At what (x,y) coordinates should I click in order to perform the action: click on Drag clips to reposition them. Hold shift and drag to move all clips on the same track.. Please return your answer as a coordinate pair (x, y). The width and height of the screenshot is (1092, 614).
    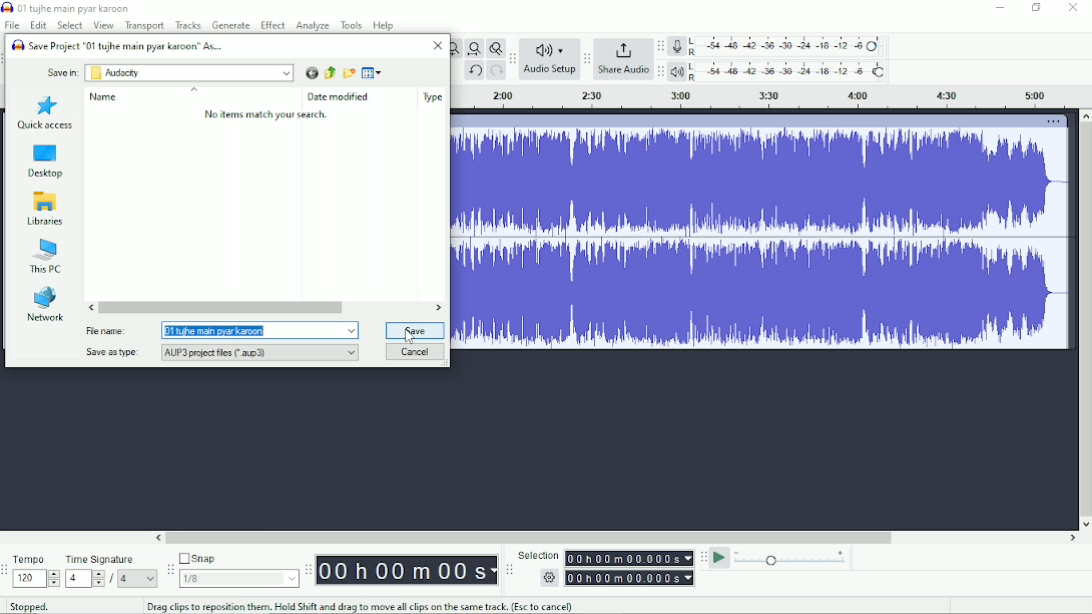
    Looking at the image, I should click on (360, 606).